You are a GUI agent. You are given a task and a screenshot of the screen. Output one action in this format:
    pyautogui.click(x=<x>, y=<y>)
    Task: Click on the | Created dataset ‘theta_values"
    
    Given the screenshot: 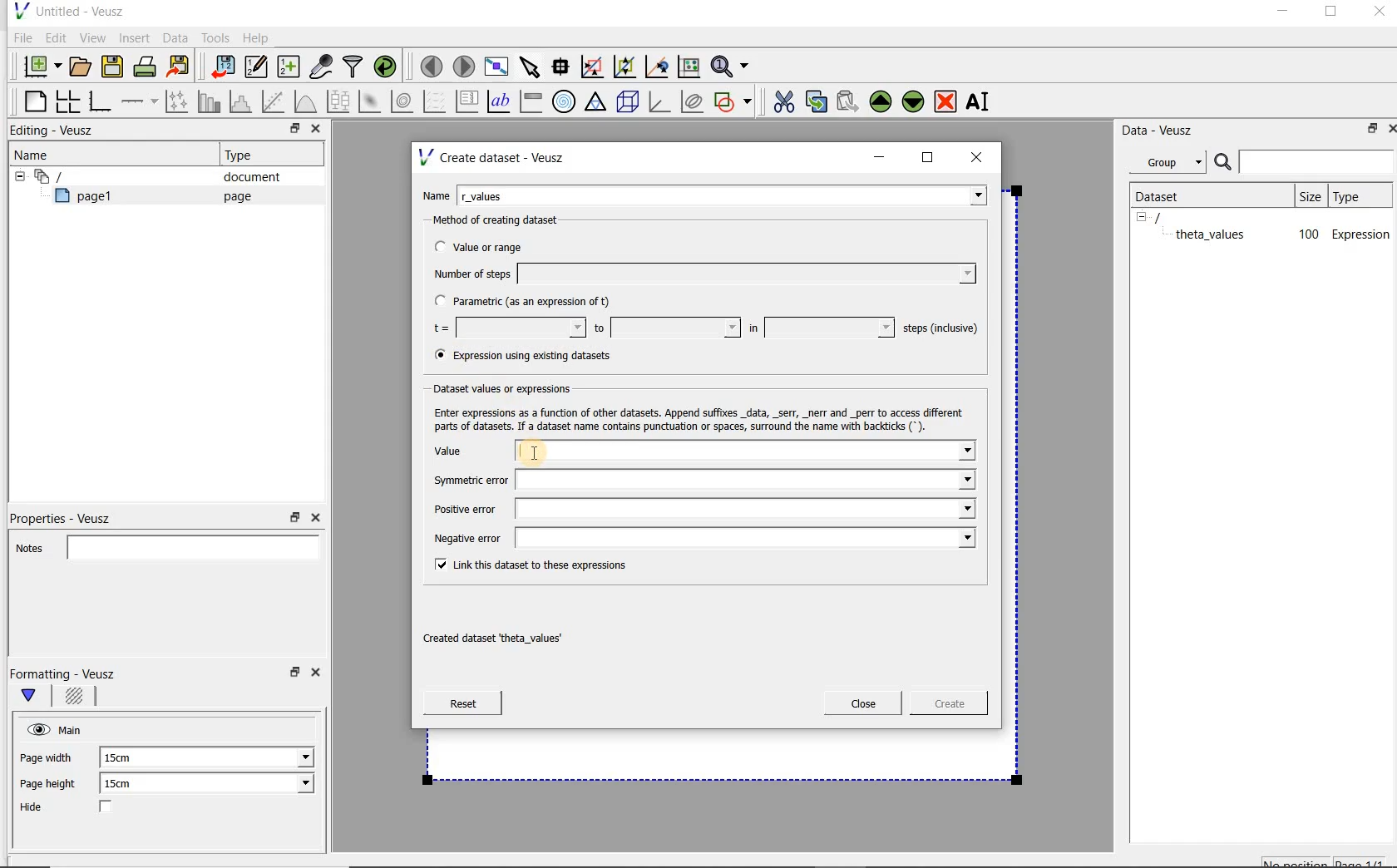 What is the action you would take?
    pyautogui.click(x=511, y=633)
    